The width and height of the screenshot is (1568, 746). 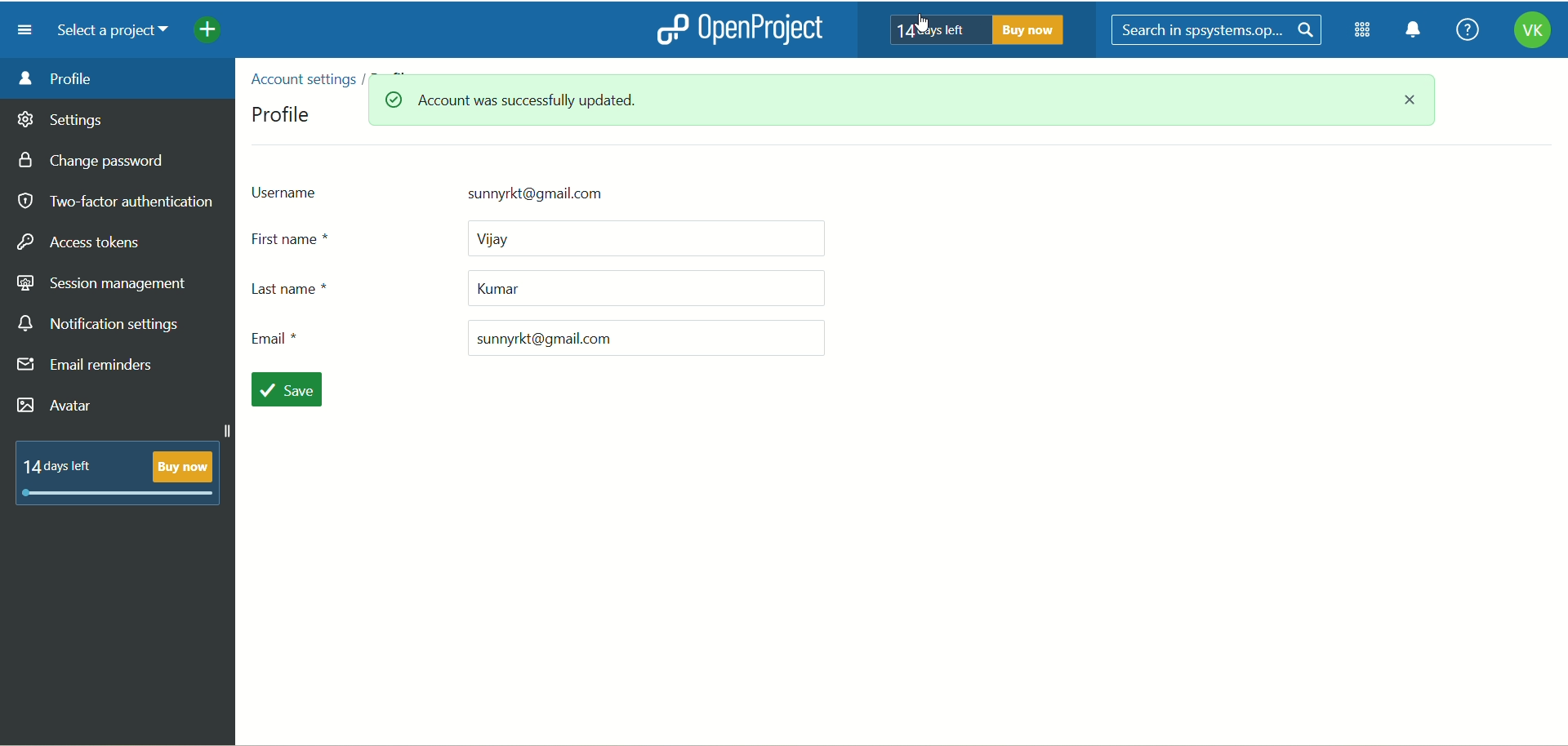 I want to click on cursor, so click(x=928, y=22).